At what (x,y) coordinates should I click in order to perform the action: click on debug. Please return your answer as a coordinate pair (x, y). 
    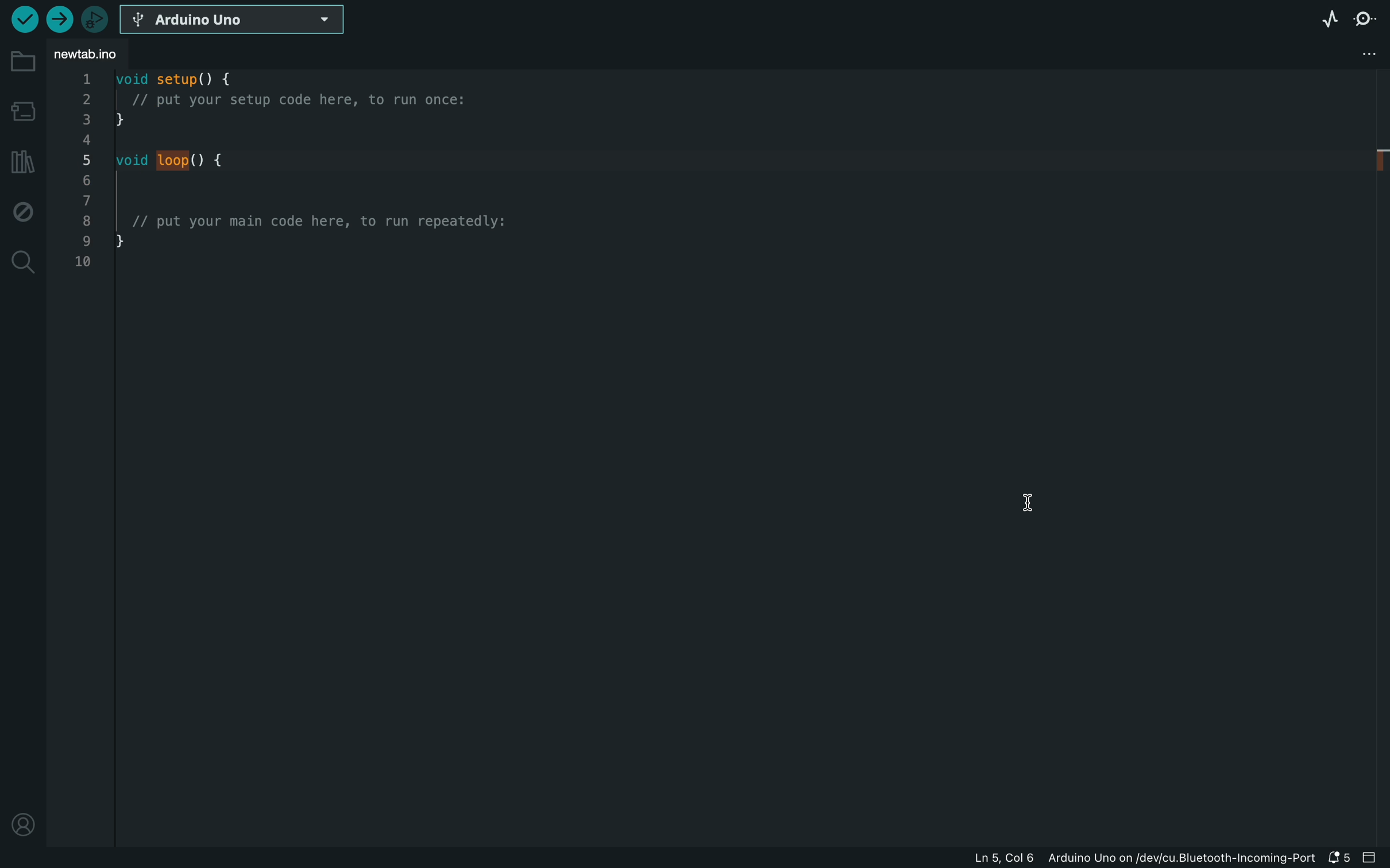
    Looking at the image, I should click on (20, 210).